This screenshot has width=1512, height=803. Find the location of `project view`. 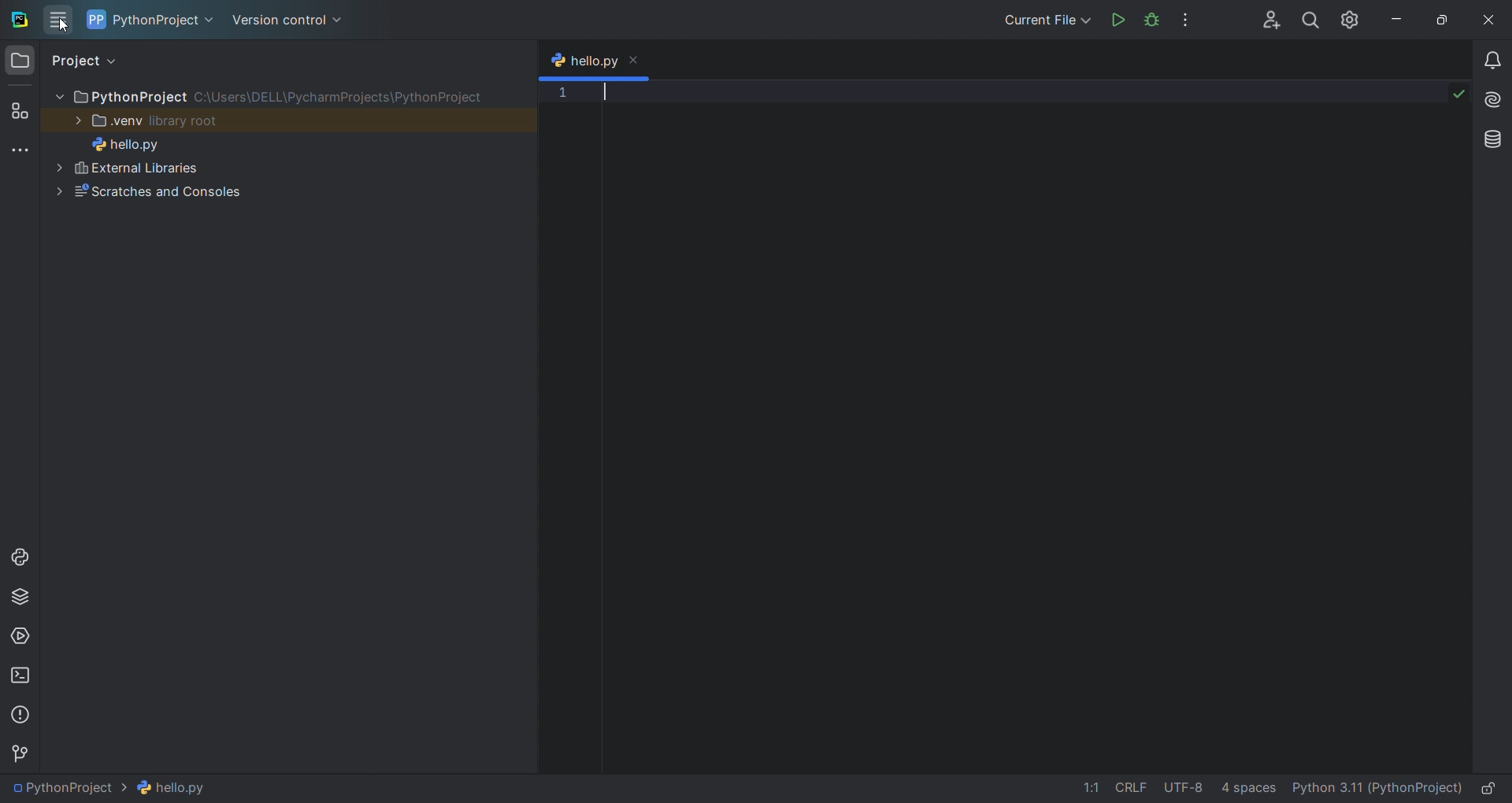

project view is located at coordinates (91, 56).